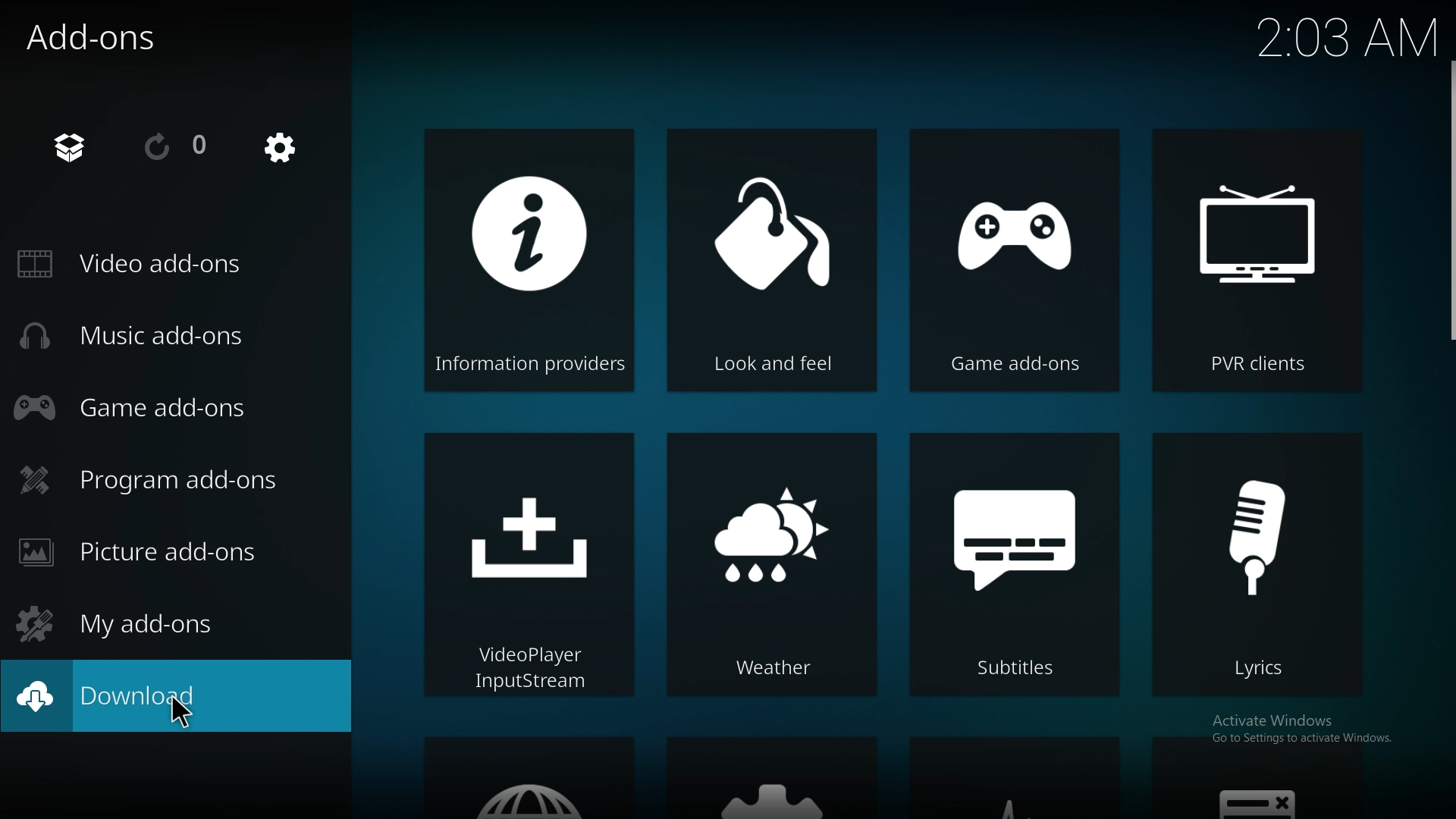 This screenshot has width=1456, height=819. What do you see at coordinates (773, 263) in the screenshot?
I see `look and feel` at bounding box center [773, 263].